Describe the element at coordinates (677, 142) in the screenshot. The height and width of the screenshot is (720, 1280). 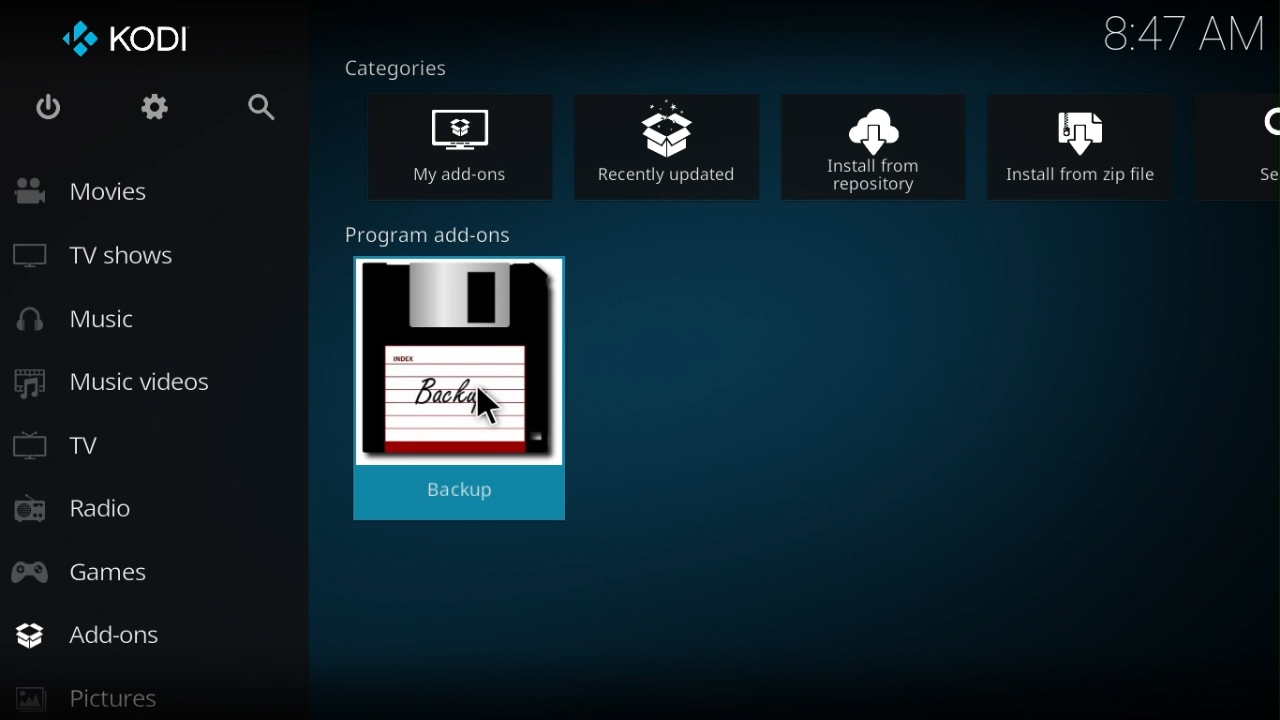
I see `Recently updated` at that location.